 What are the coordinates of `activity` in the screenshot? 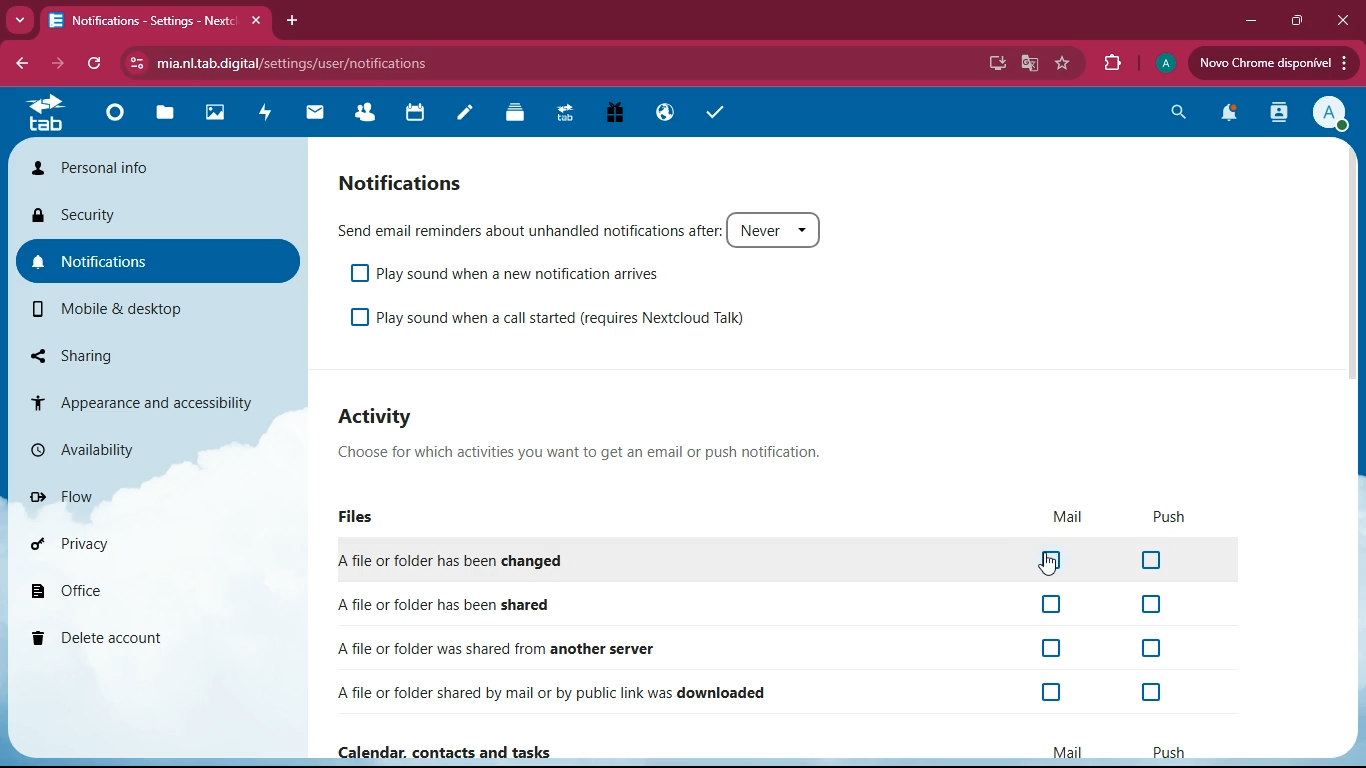 It's located at (1281, 112).